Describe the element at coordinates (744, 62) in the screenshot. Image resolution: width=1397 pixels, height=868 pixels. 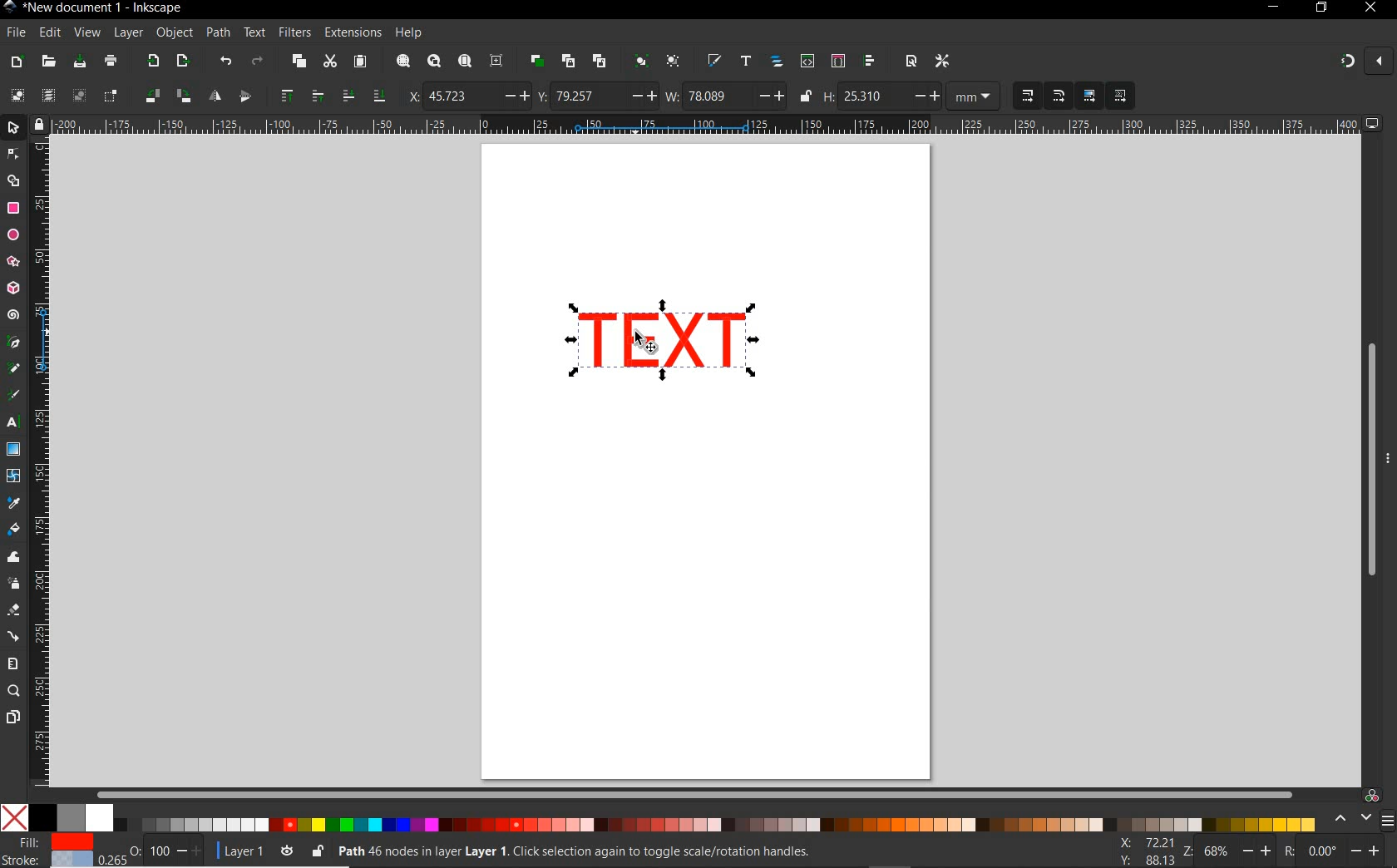
I see `OPEN TEXT` at that location.